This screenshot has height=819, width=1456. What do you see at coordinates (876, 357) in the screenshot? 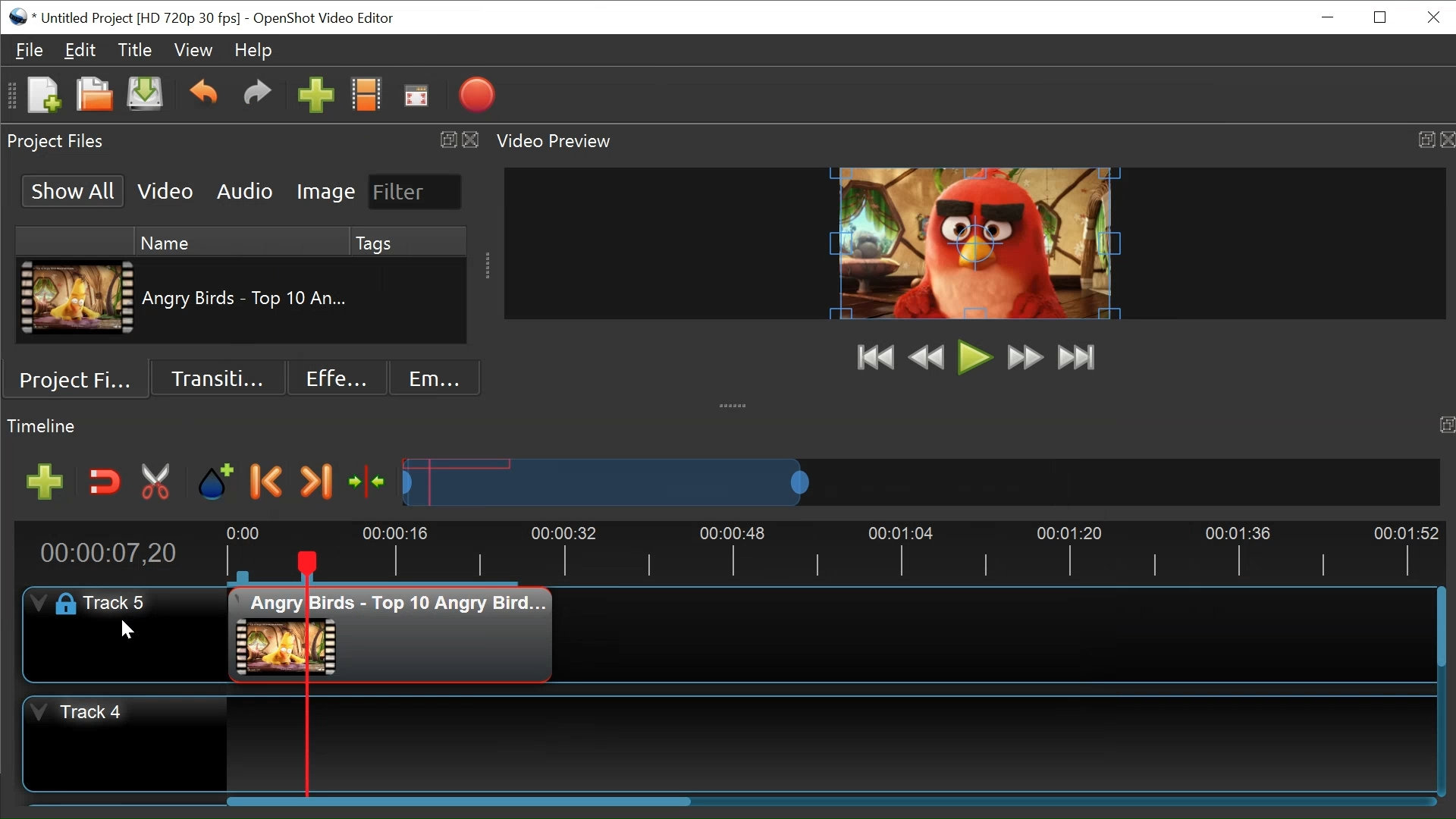
I see `Jump to Start` at bounding box center [876, 357].